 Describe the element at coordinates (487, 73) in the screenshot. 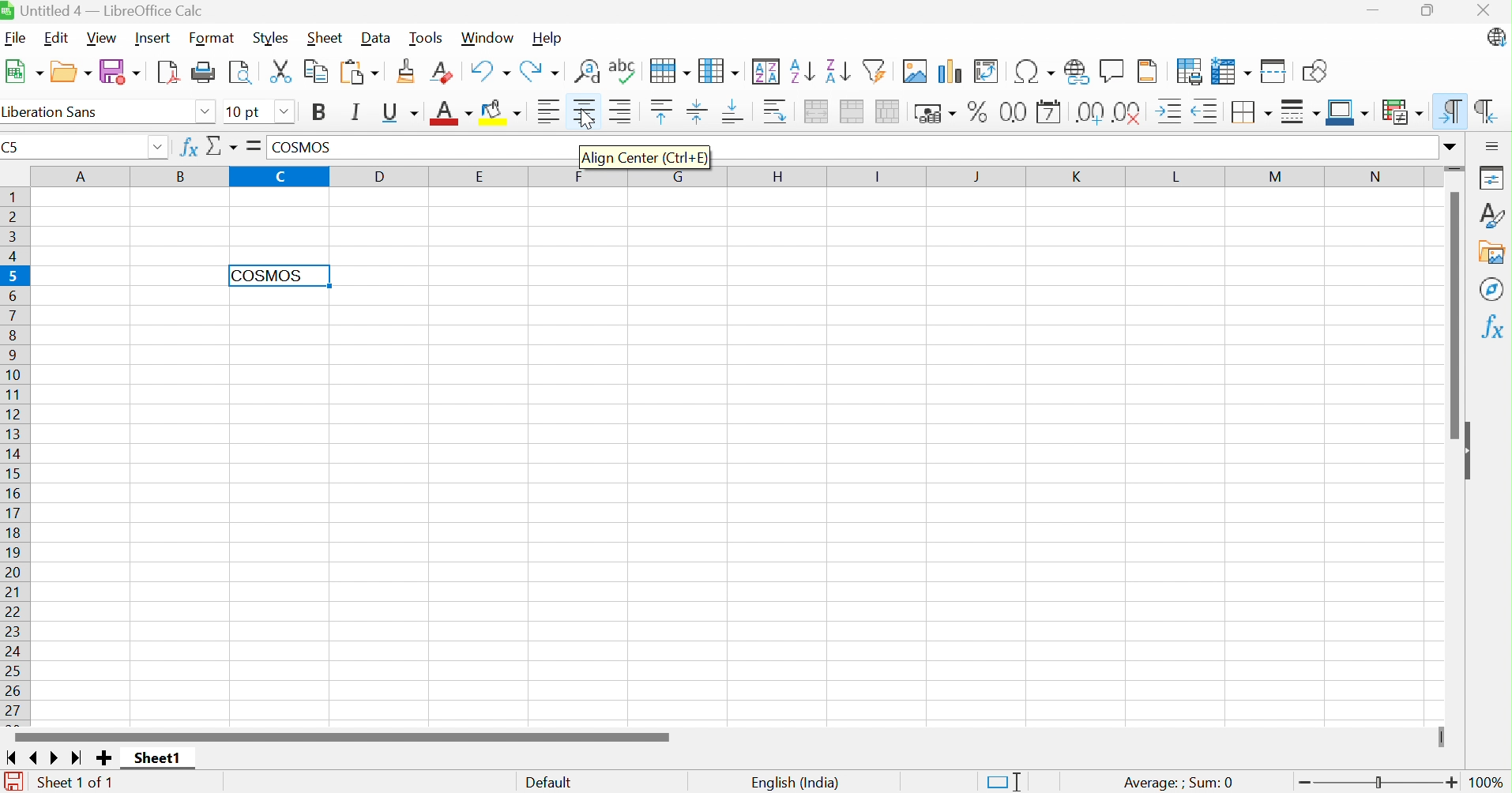

I see `Undo` at that location.